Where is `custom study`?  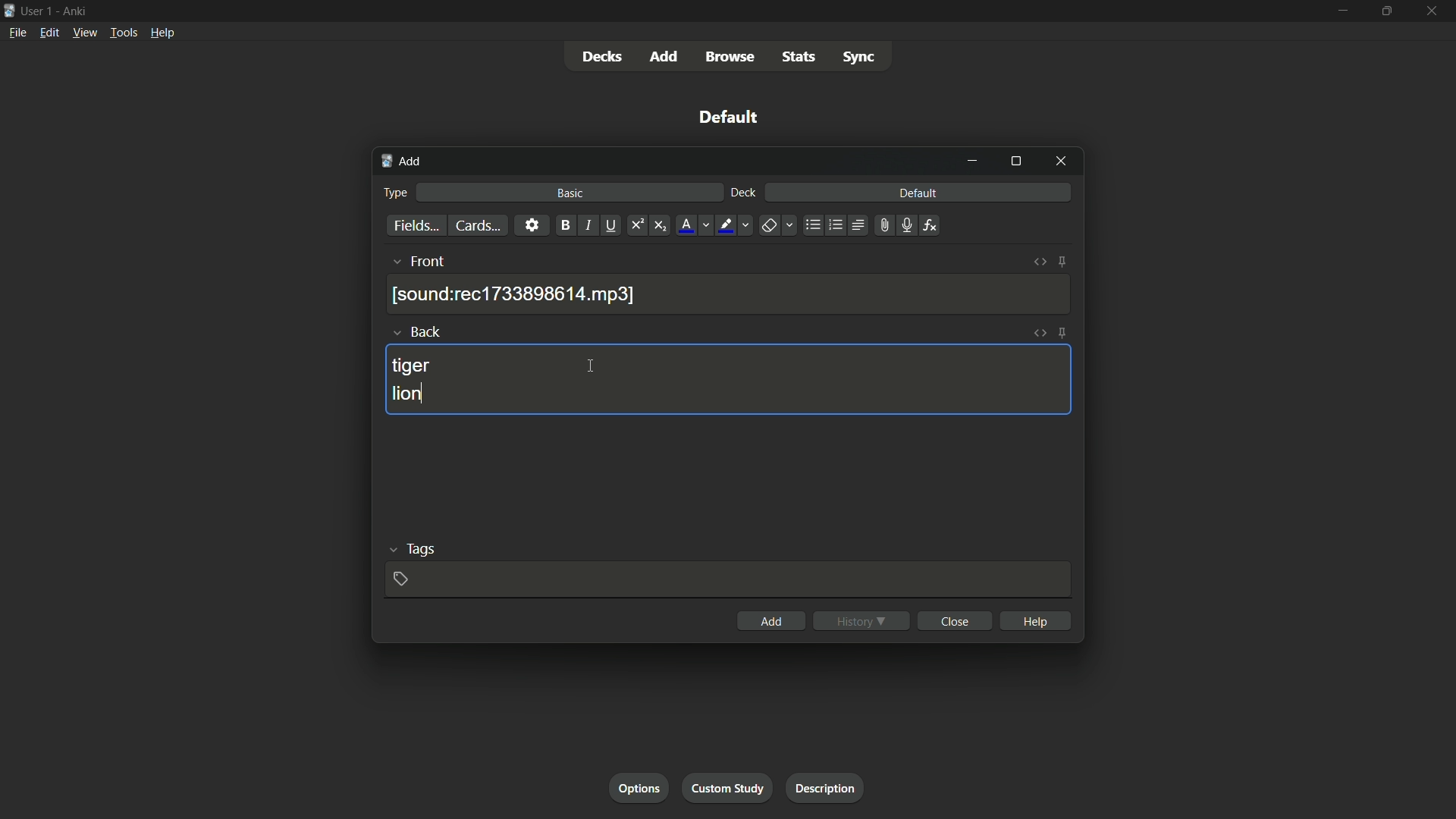
custom study is located at coordinates (729, 789).